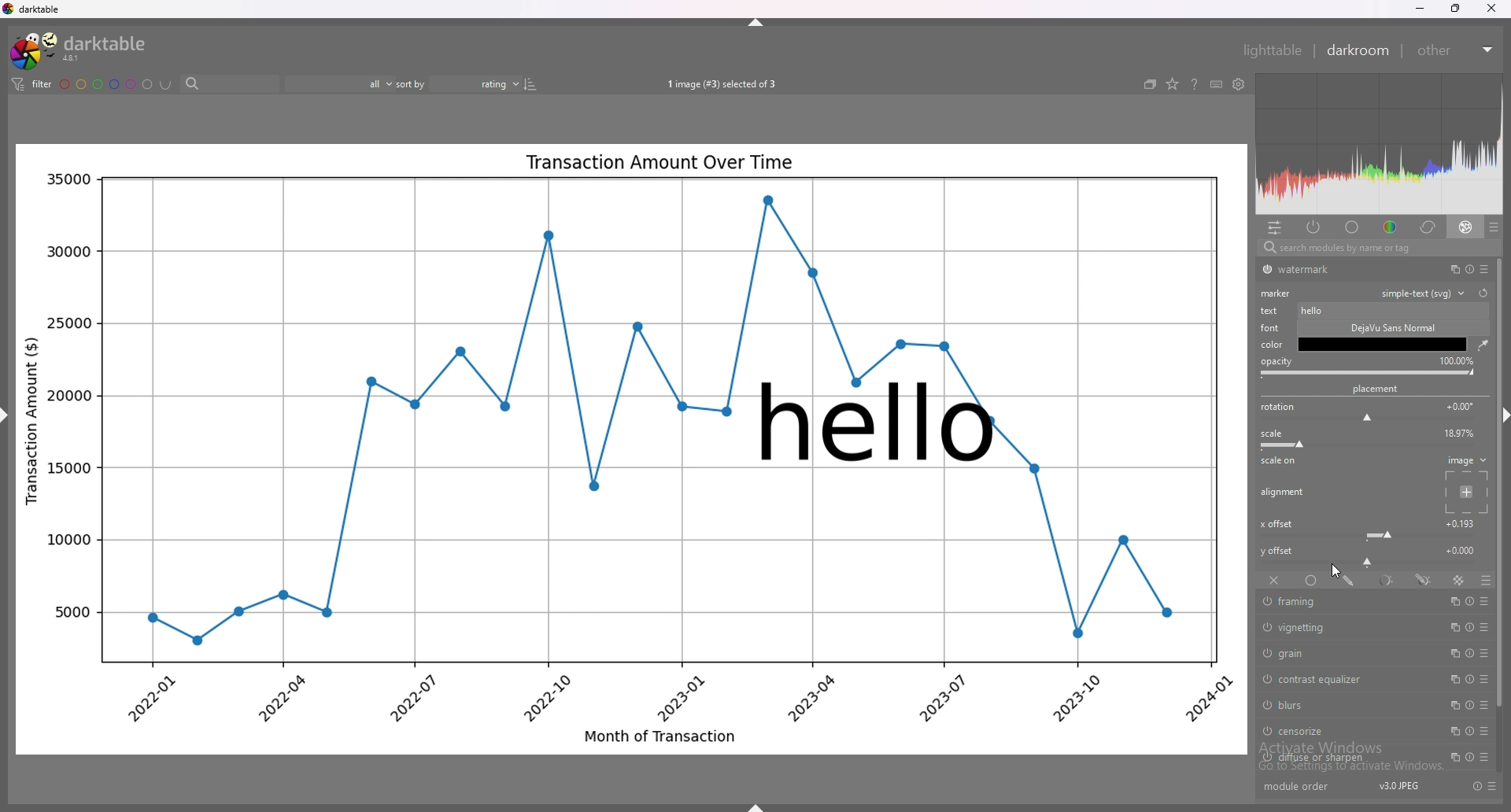  Describe the element at coordinates (1466, 227) in the screenshot. I see `effect` at that location.